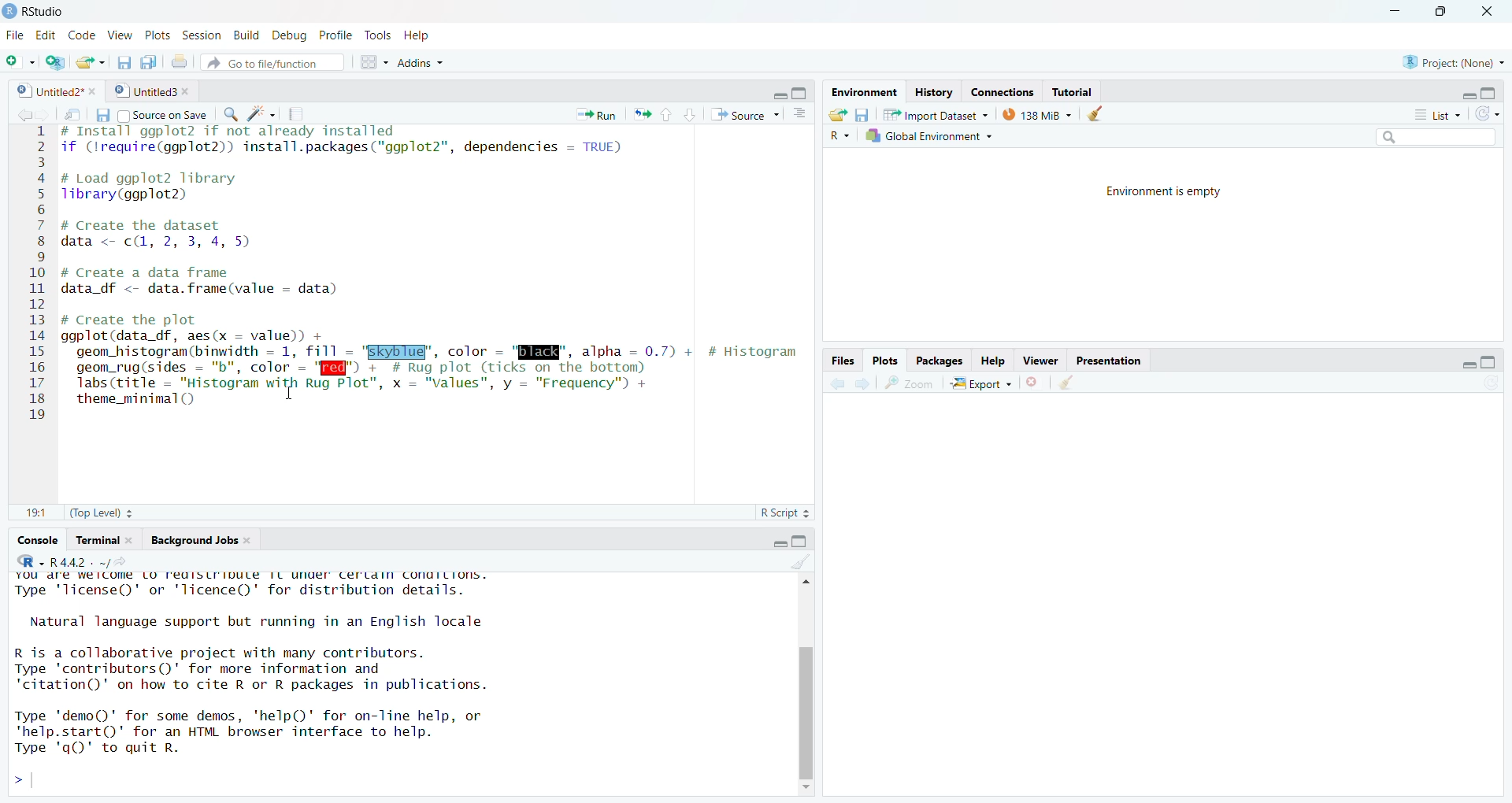  What do you see at coordinates (1033, 383) in the screenshot?
I see `Remove current viewer` at bounding box center [1033, 383].